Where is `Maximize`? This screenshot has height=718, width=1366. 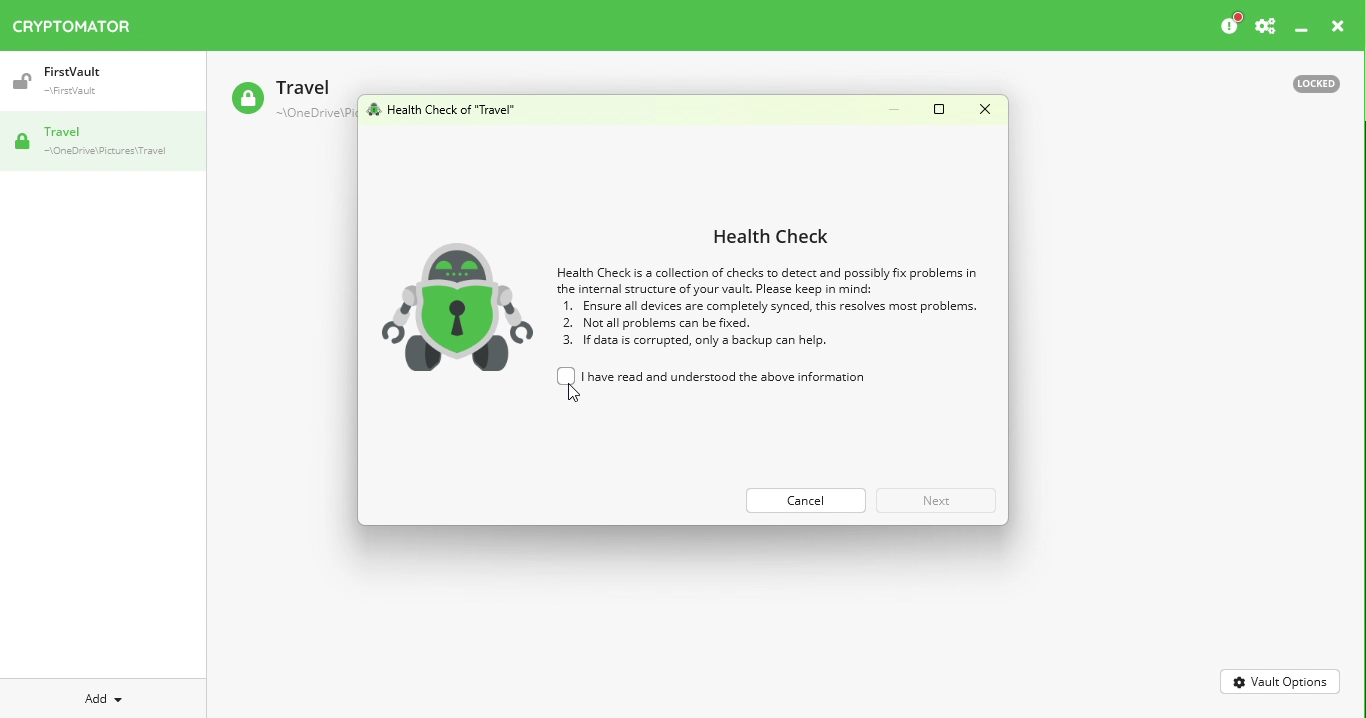
Maximize is located at coordinates (938, 110).